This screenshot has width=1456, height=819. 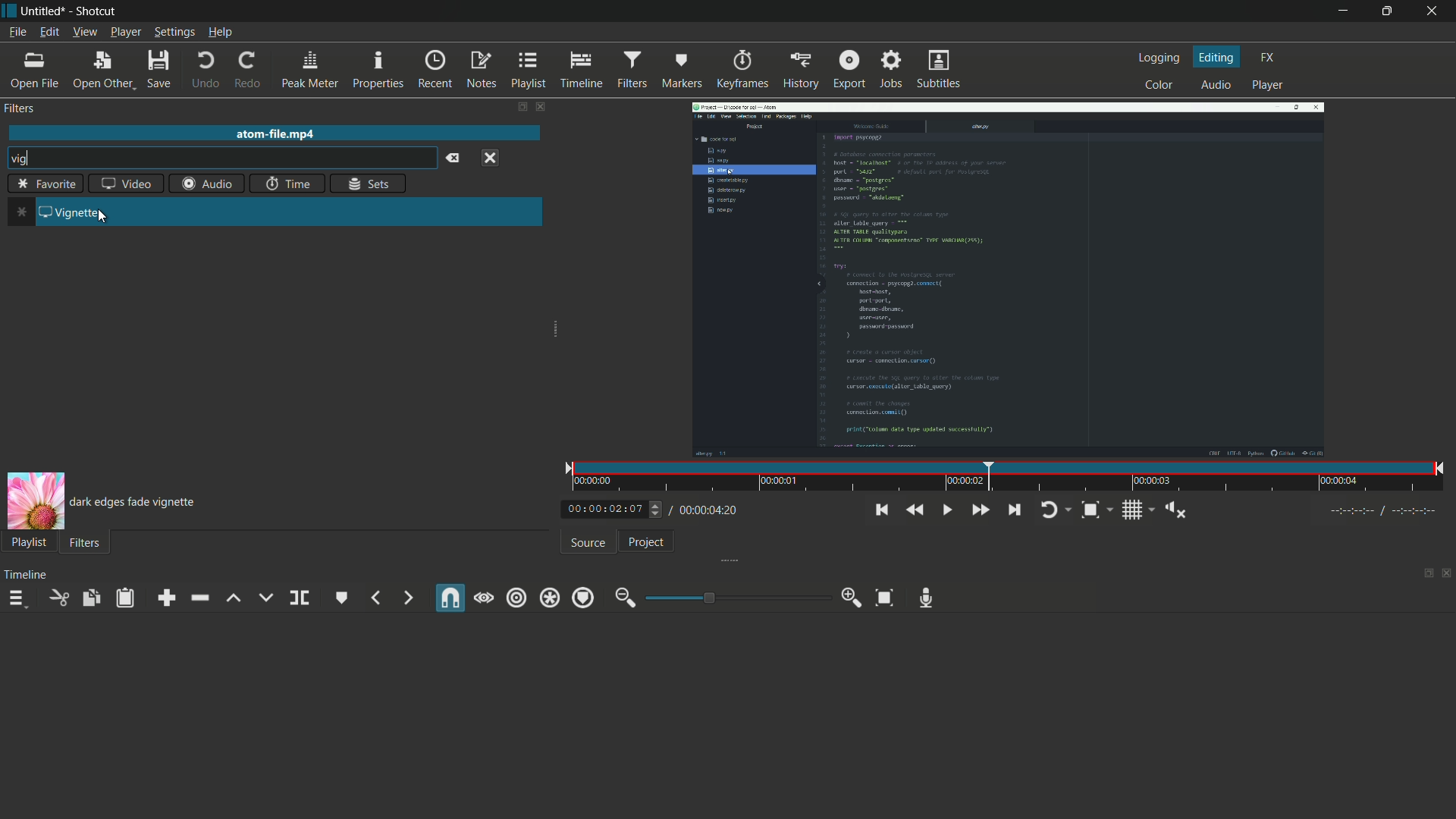 What do you see at coordinates (45, 11) in the screenshot?
I see `project name` at bounding box center [45, 11].